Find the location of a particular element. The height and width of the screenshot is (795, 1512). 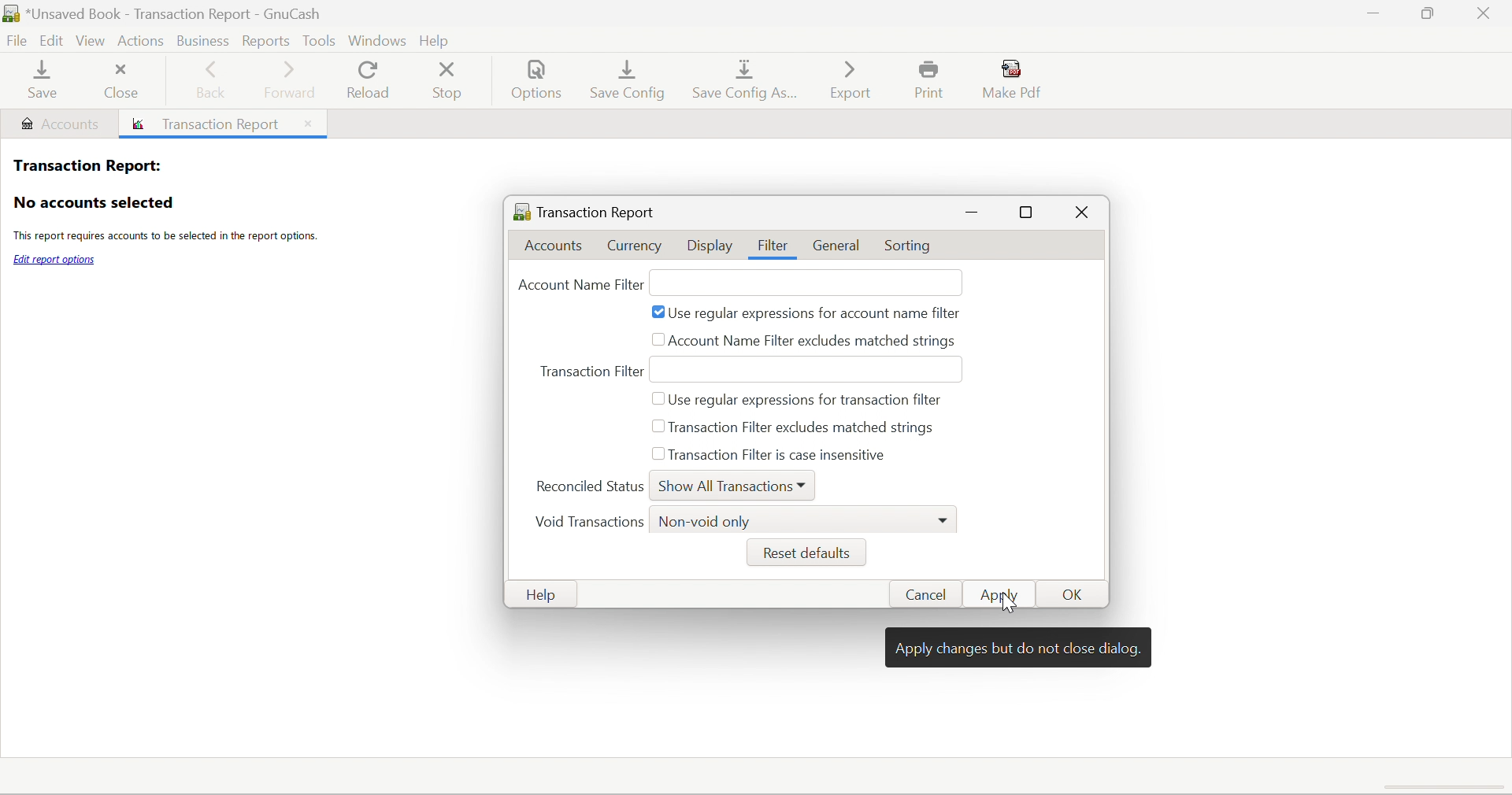

Cancel is located at coordinates (932, 595).